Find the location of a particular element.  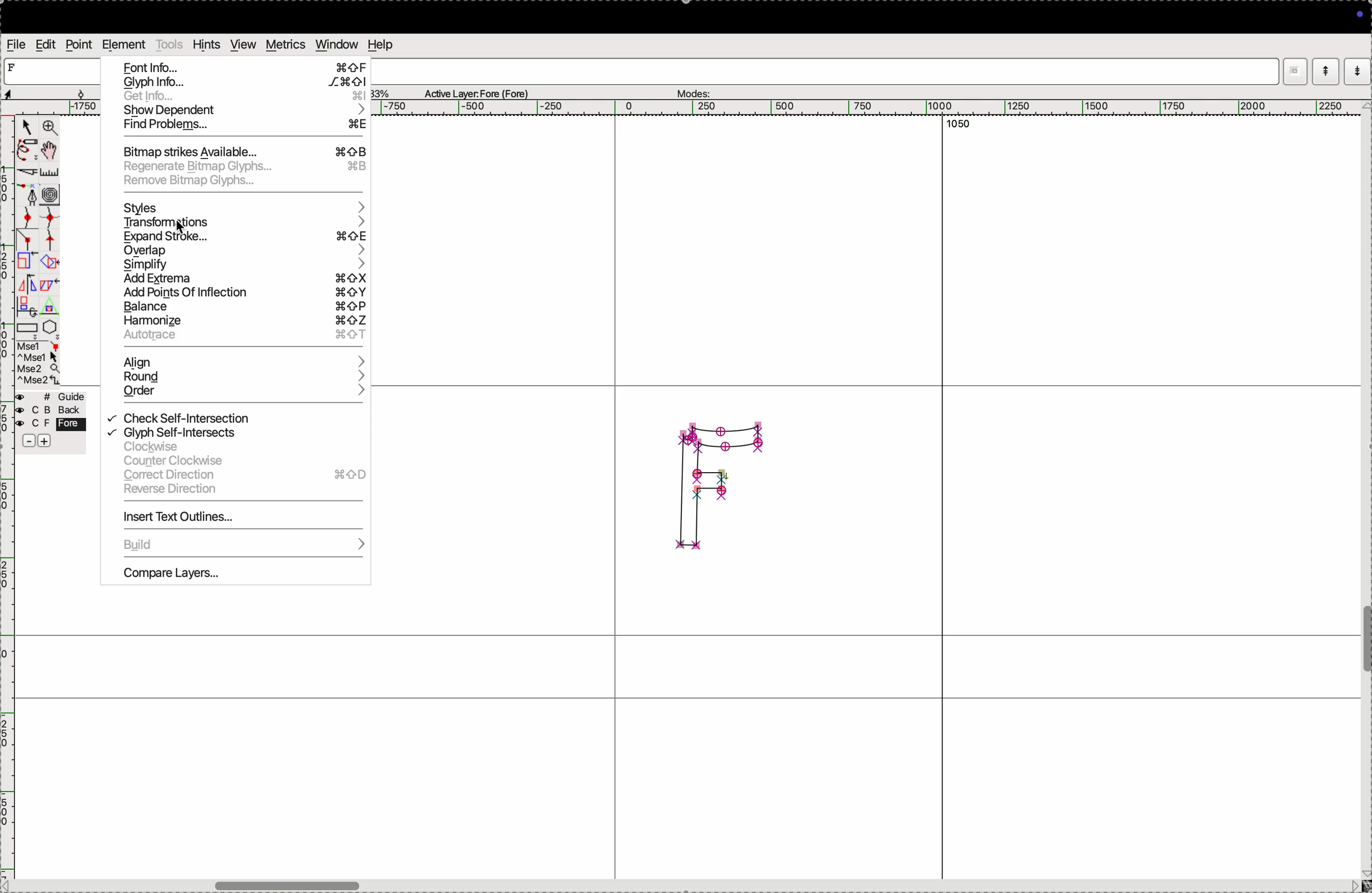

hints is located at coordinates (207, 44).